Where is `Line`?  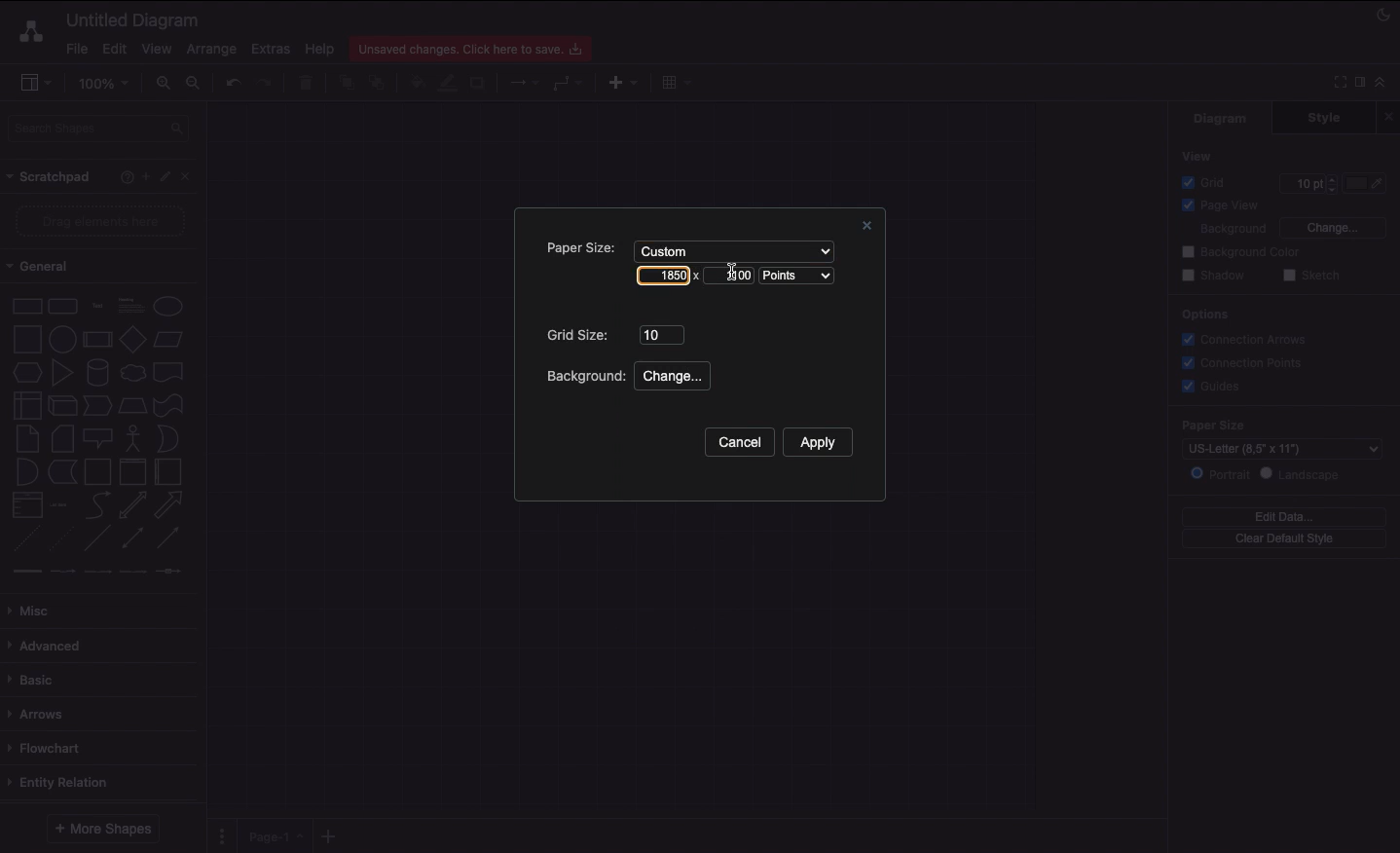
Line is located at coordinates (97, 539).